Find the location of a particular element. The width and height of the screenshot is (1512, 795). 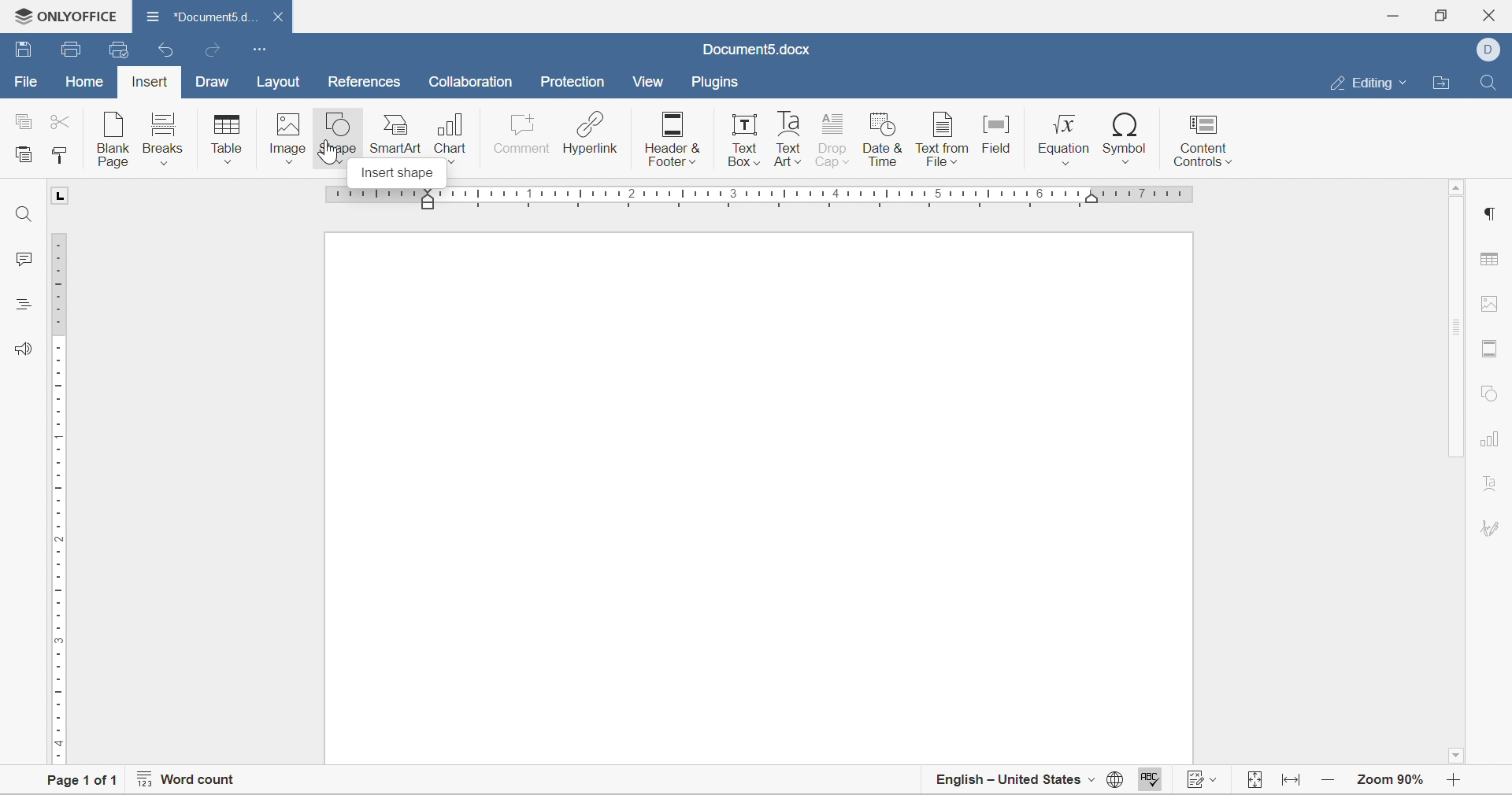

headings is located at coordinates (24, 304).